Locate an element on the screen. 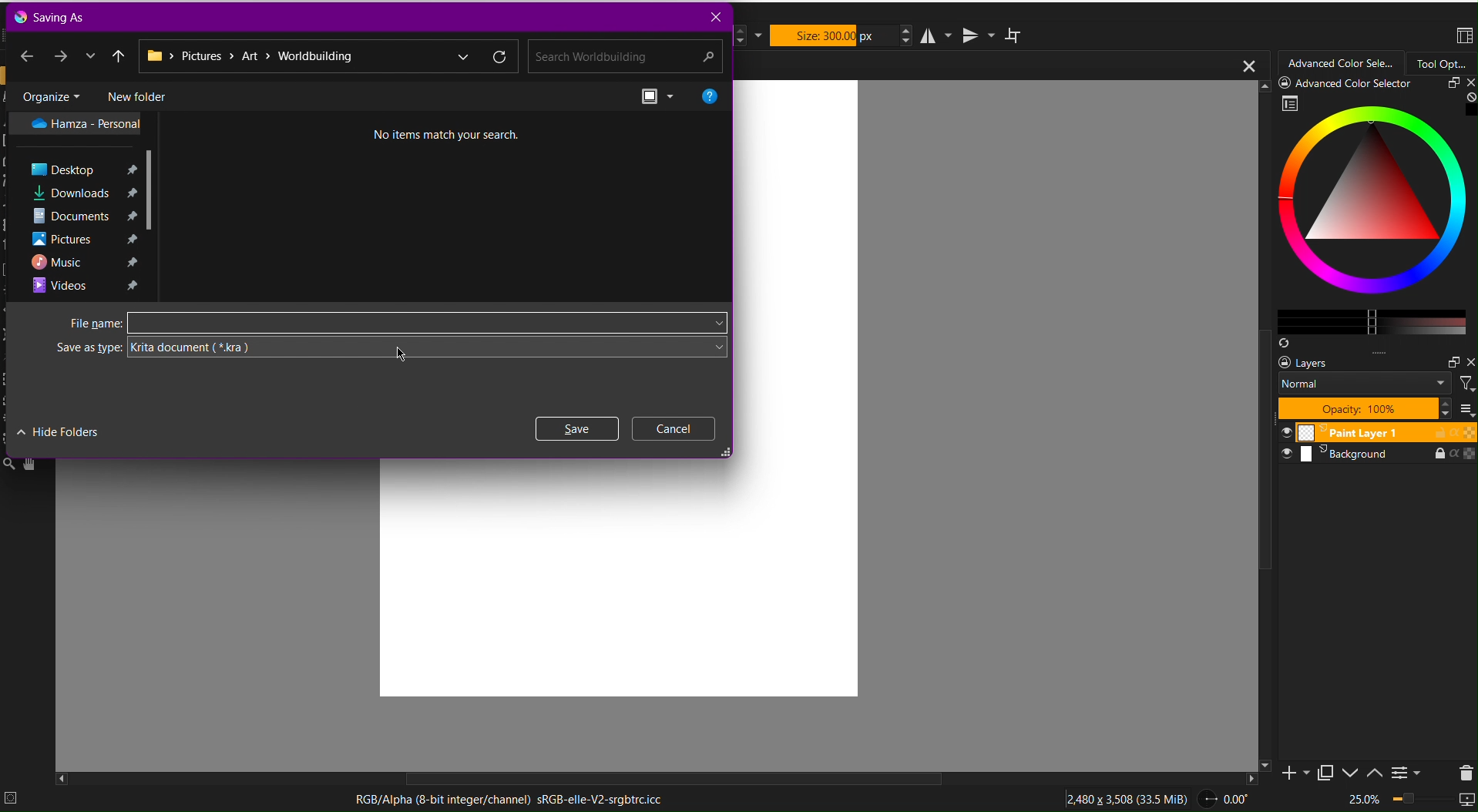 This screenshot has height=812, width=1478. Advanced Color Selector is located at coordinates (1367, 214).